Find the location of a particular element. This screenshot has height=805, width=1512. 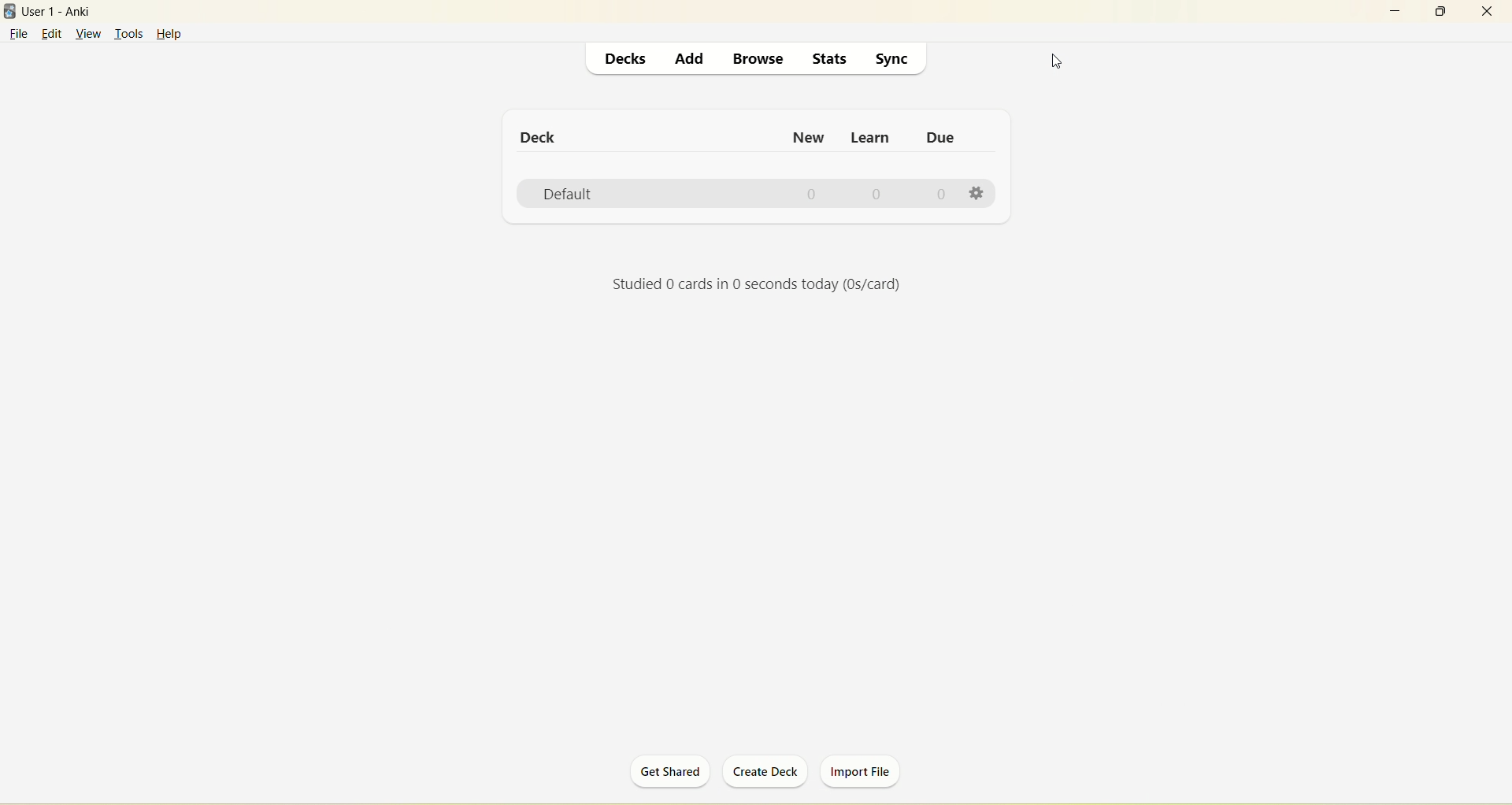

due is located at coordinates (939, 137).